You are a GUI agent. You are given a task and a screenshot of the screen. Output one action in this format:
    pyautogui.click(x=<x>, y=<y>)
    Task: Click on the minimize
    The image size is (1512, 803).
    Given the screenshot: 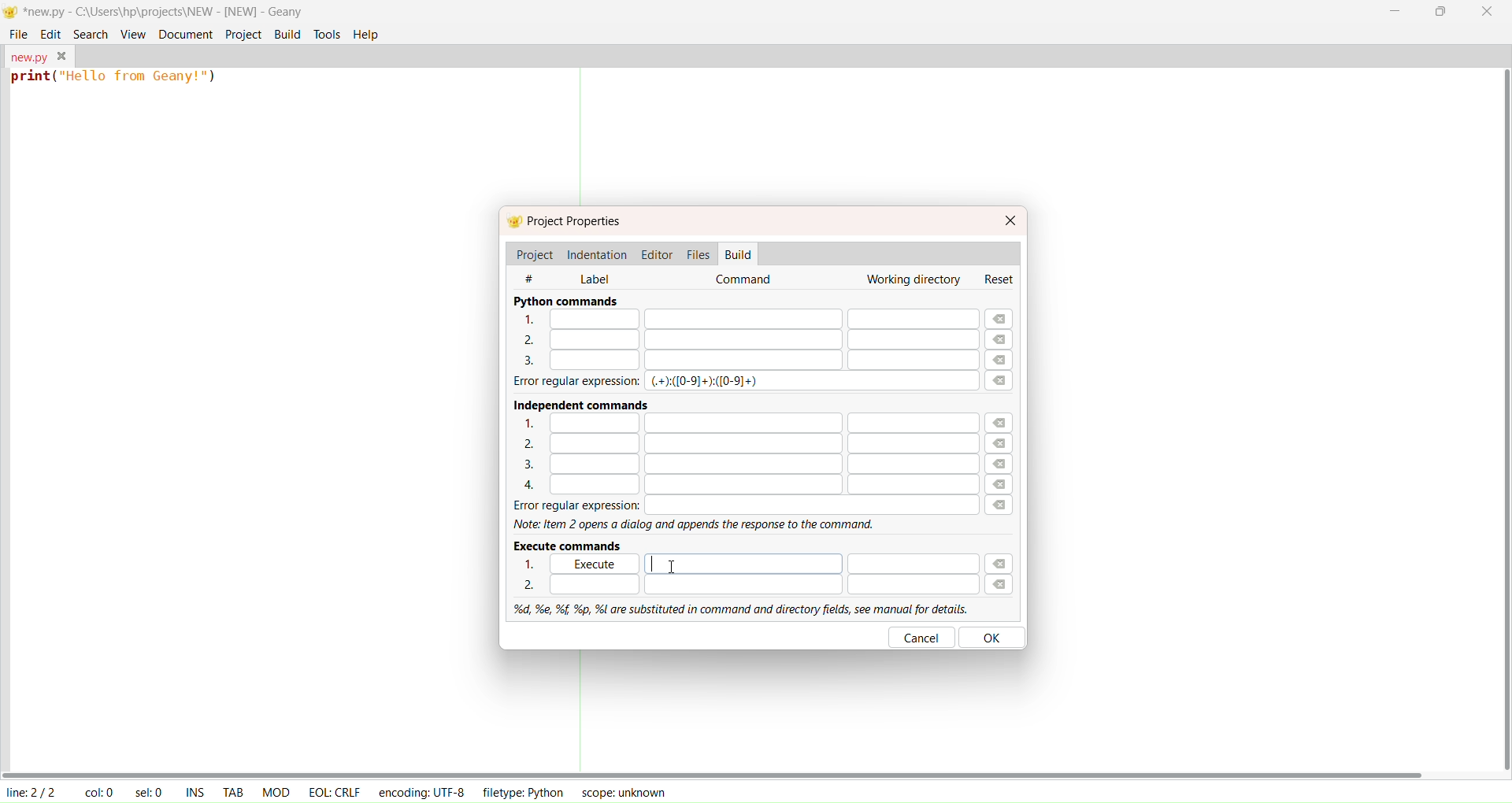 What is the action you would take?
    pyautogui.click(x=1394, y=10)
    